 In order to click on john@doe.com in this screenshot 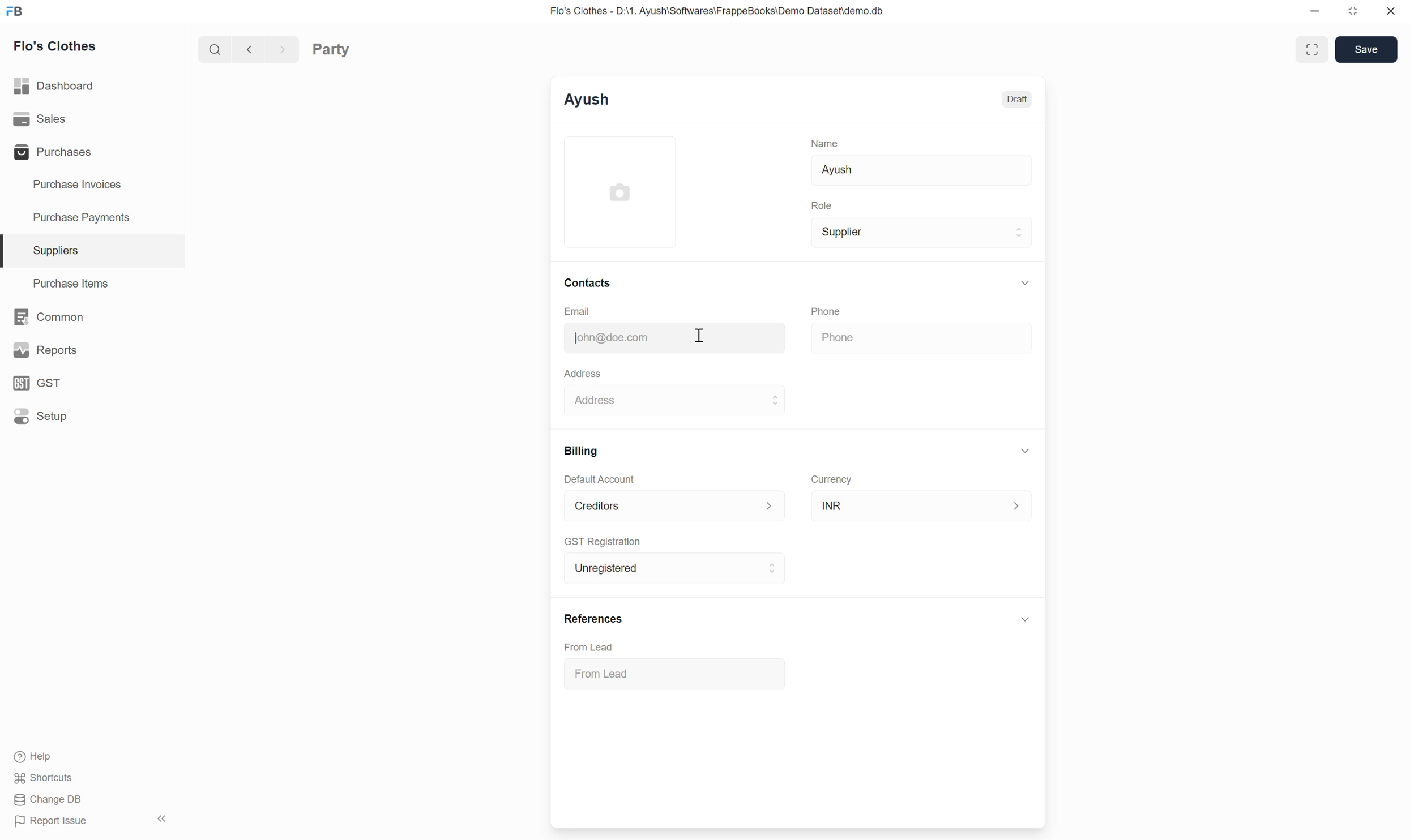, I will do `click(683, 338)`.